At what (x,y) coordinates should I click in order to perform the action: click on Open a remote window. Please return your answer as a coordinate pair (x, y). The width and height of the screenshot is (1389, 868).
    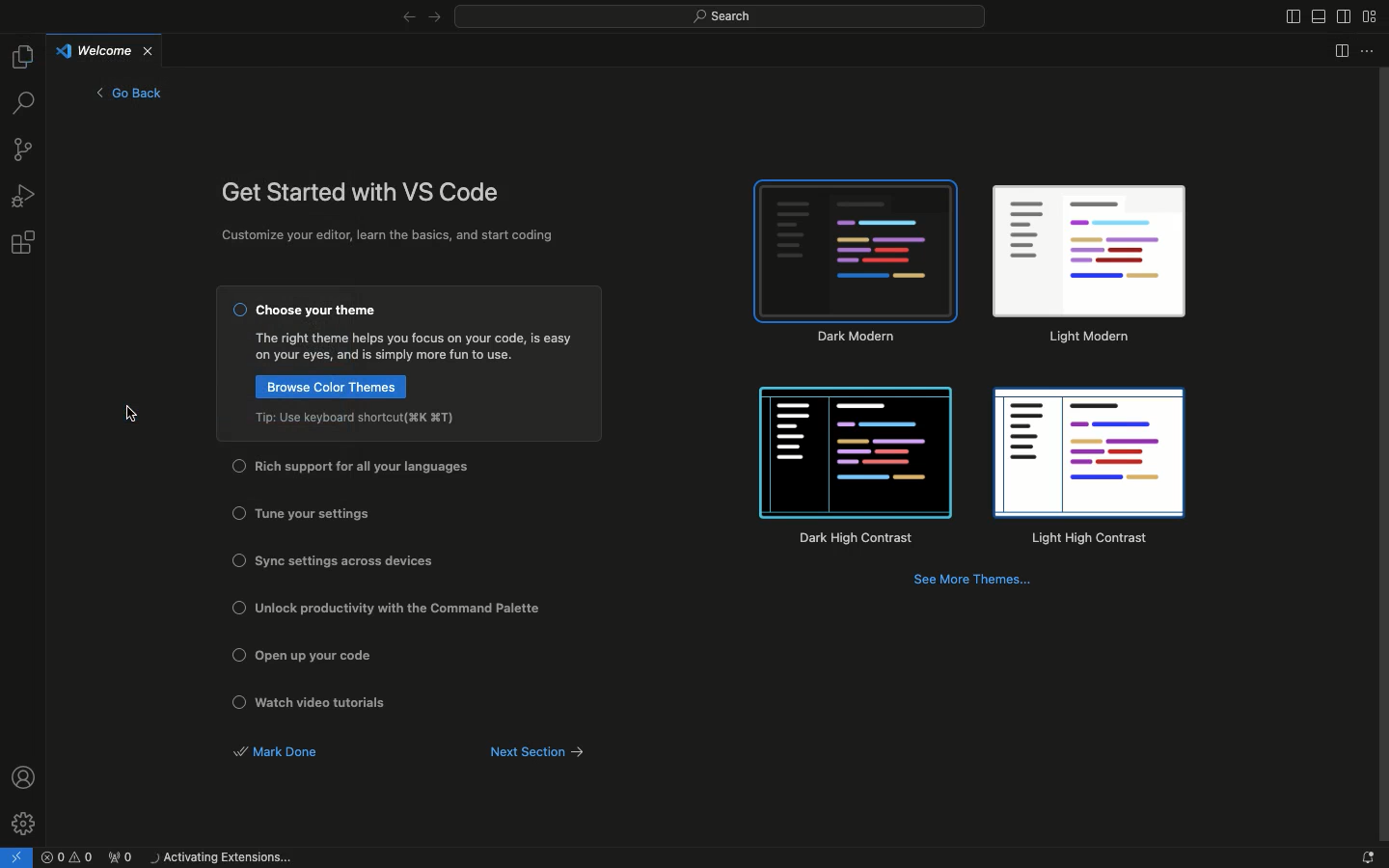
    Looking at the image, I should click on (19, 855).